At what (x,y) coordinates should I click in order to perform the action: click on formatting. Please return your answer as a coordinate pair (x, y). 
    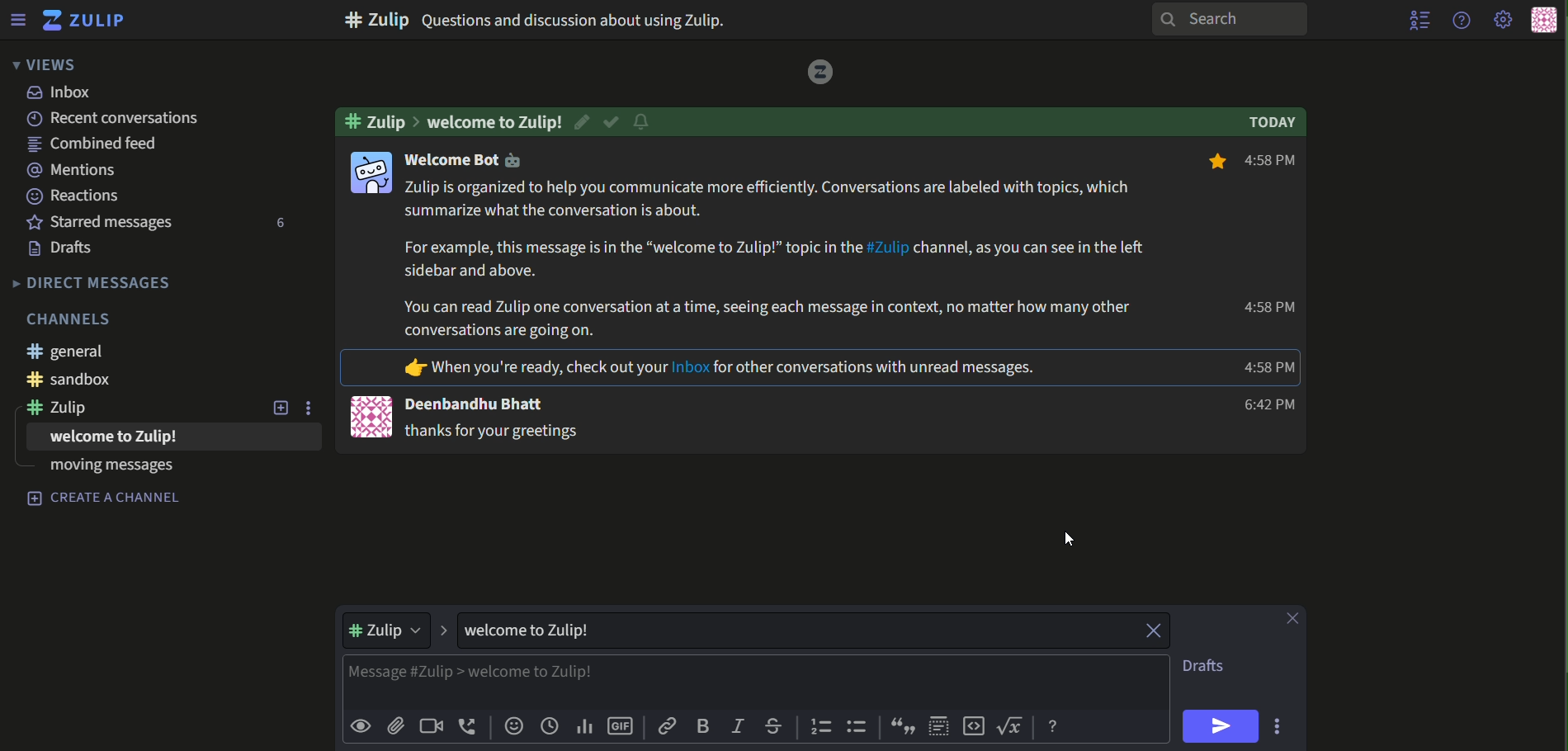
    Looking at the image, I should click on (1056, 727).